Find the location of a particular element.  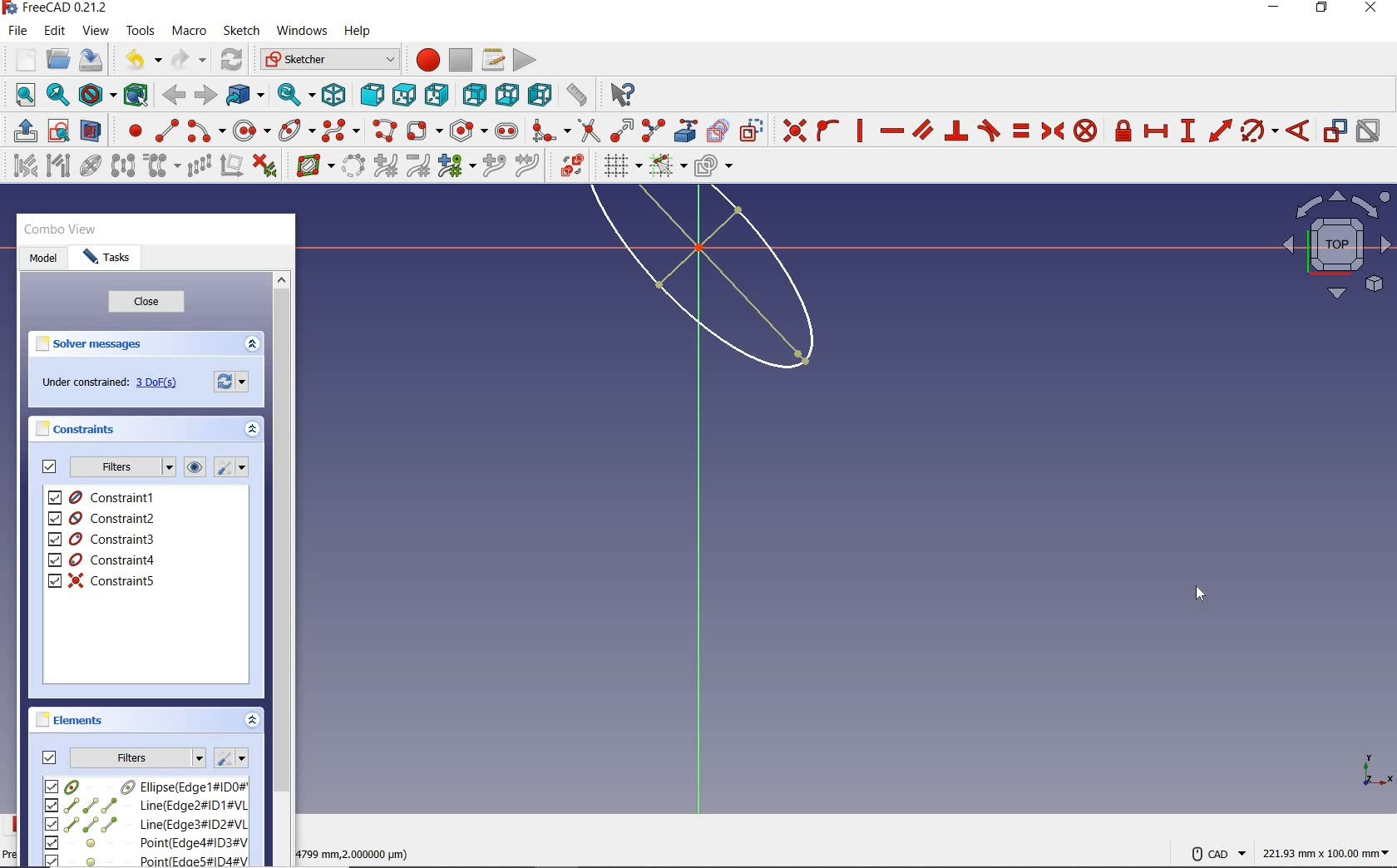

filters is located at coordinates (121, 467).